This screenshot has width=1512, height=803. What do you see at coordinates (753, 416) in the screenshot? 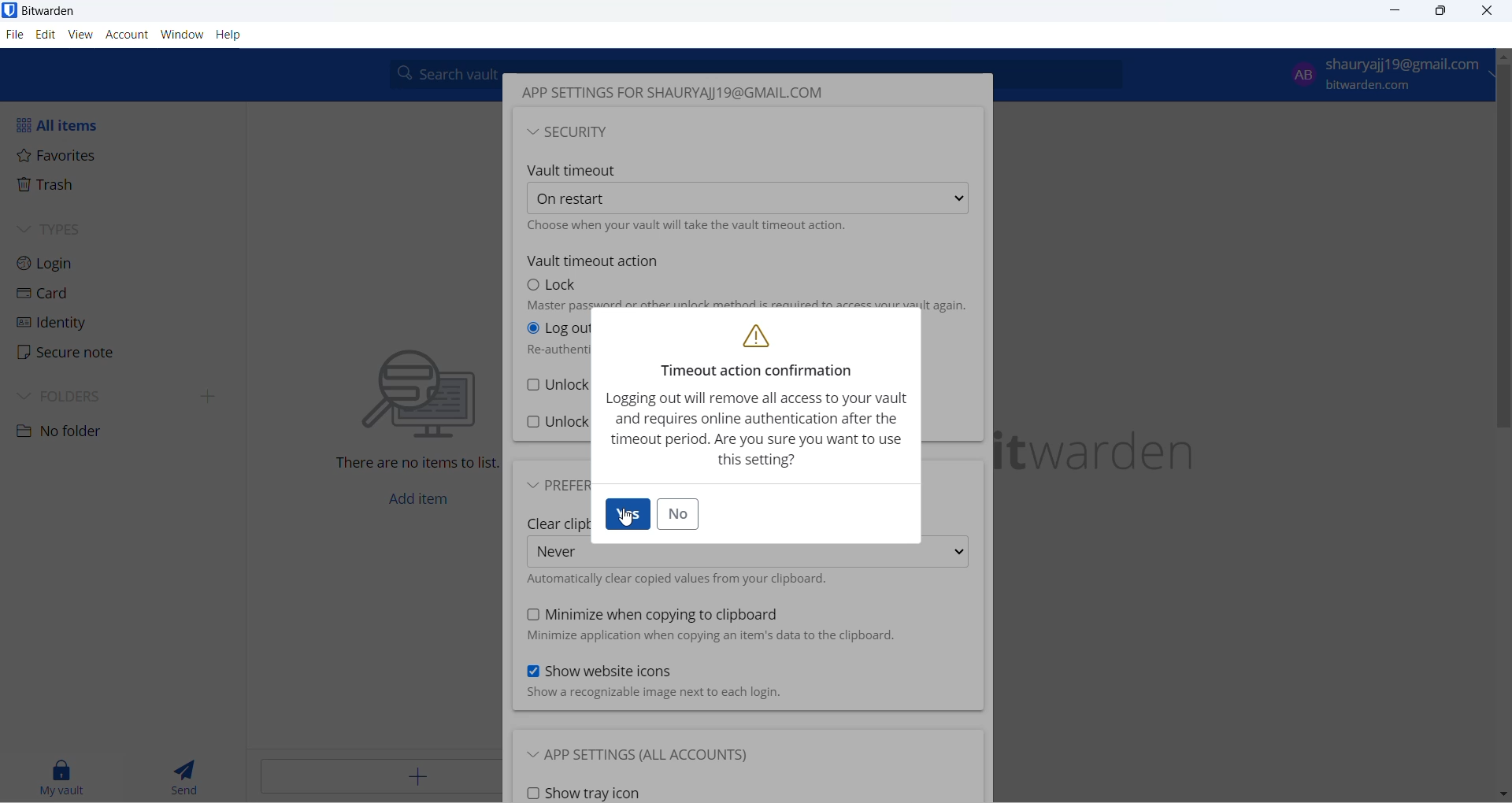
I see `text` at bounding box center [753, 416].